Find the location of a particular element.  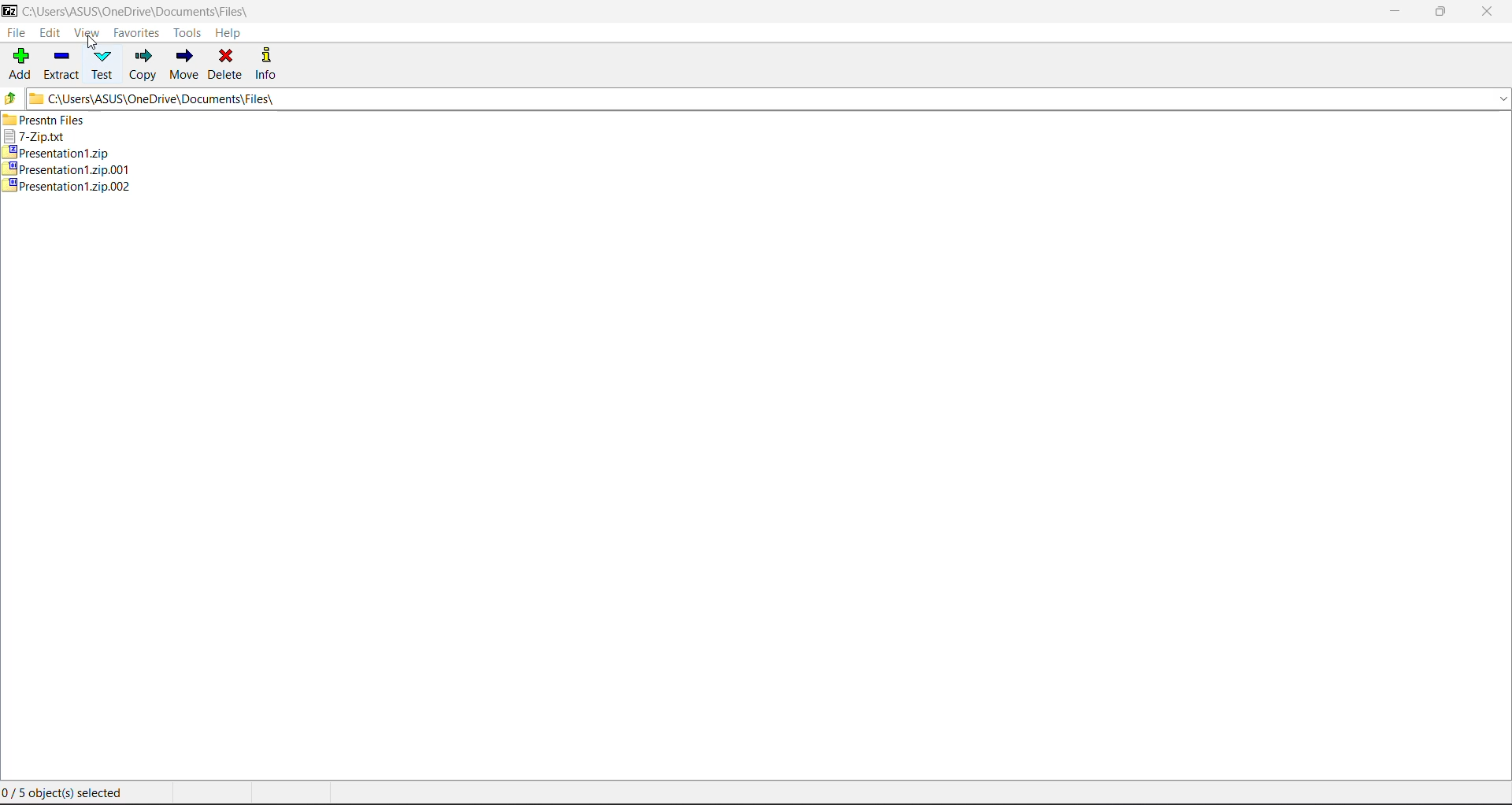

c\Users\ASUS\OneDrive\Documents\Files\ is located at coordinates (144, 11).